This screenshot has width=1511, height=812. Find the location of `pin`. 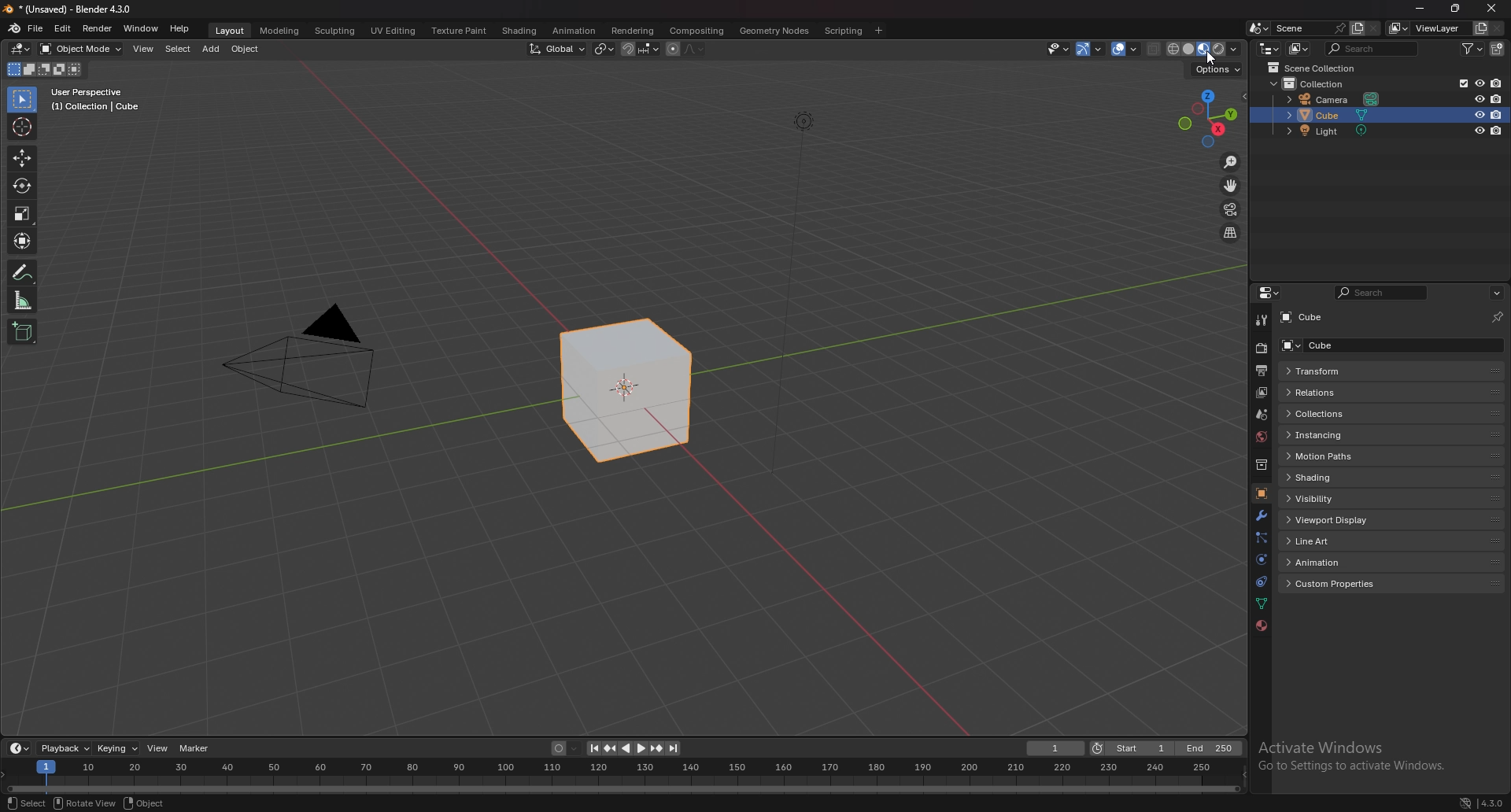

pin is located at coordinates (1496, 317).